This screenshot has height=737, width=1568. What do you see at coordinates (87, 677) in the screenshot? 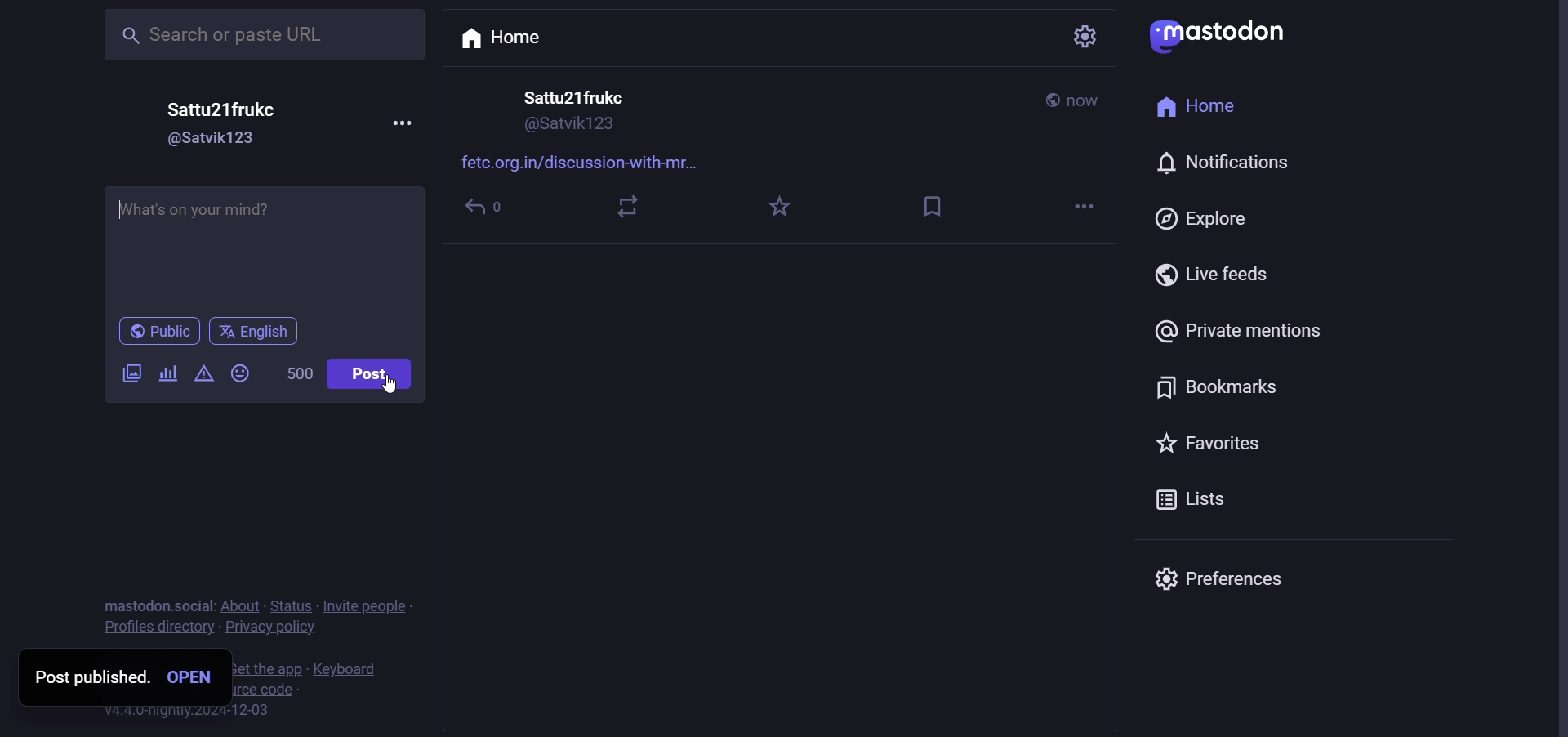
I see `post published` at bounding box center [87, 677].